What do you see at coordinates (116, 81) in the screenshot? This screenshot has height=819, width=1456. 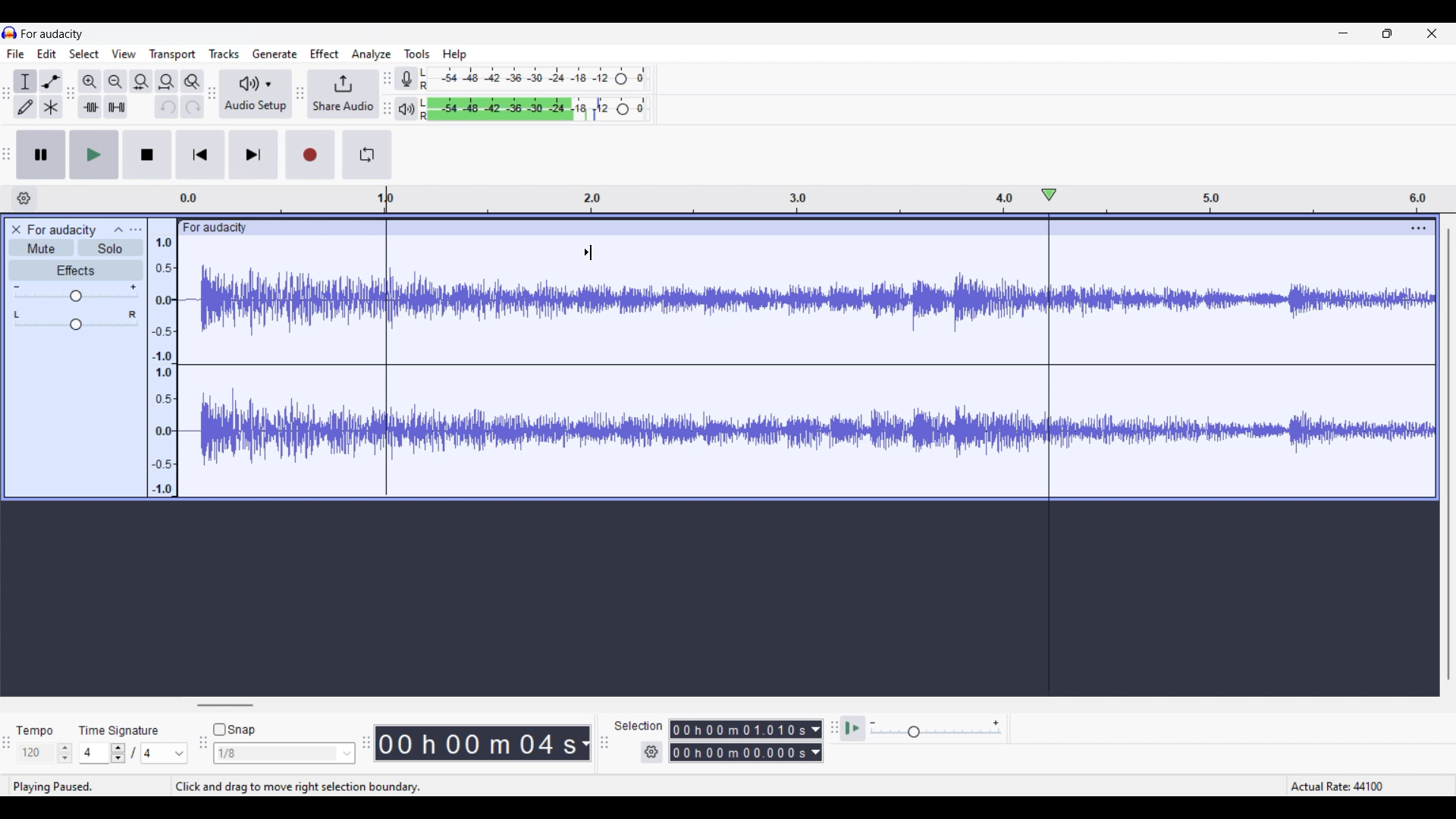 I see `Zoom out` at bounding box center [116, 81].